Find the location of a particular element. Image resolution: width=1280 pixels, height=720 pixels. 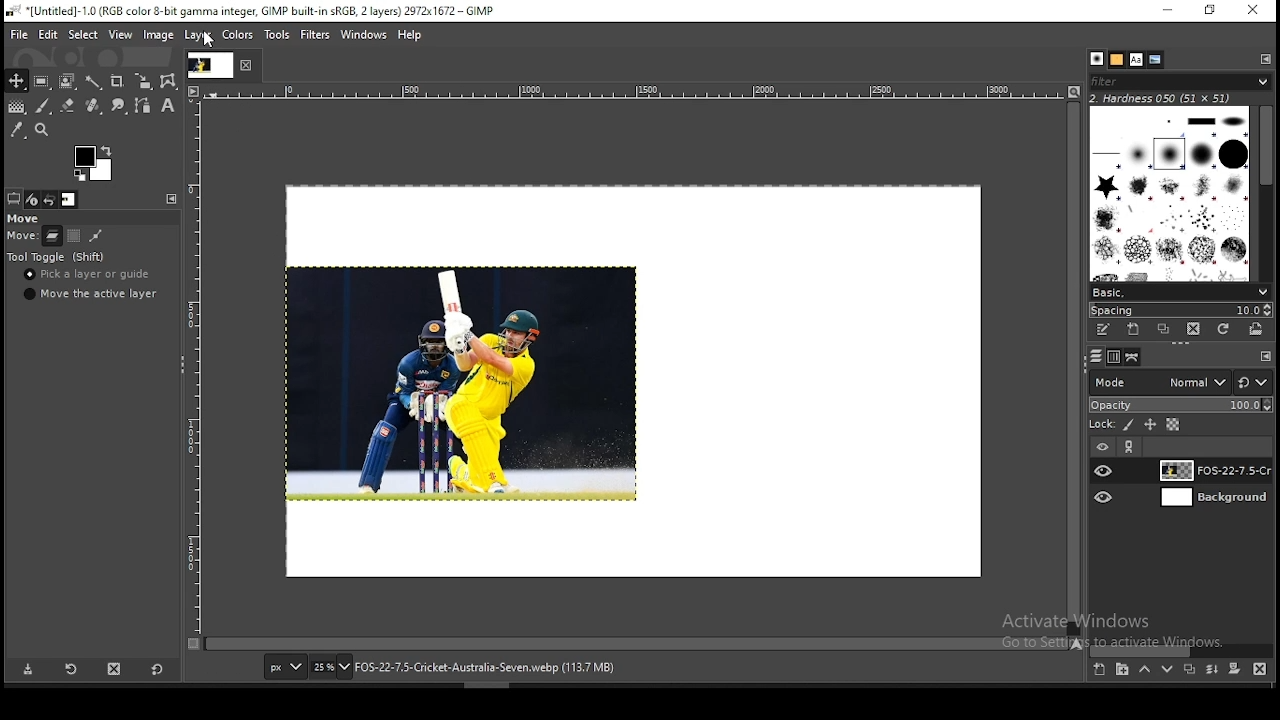

images is located at coordinates (69, 200).